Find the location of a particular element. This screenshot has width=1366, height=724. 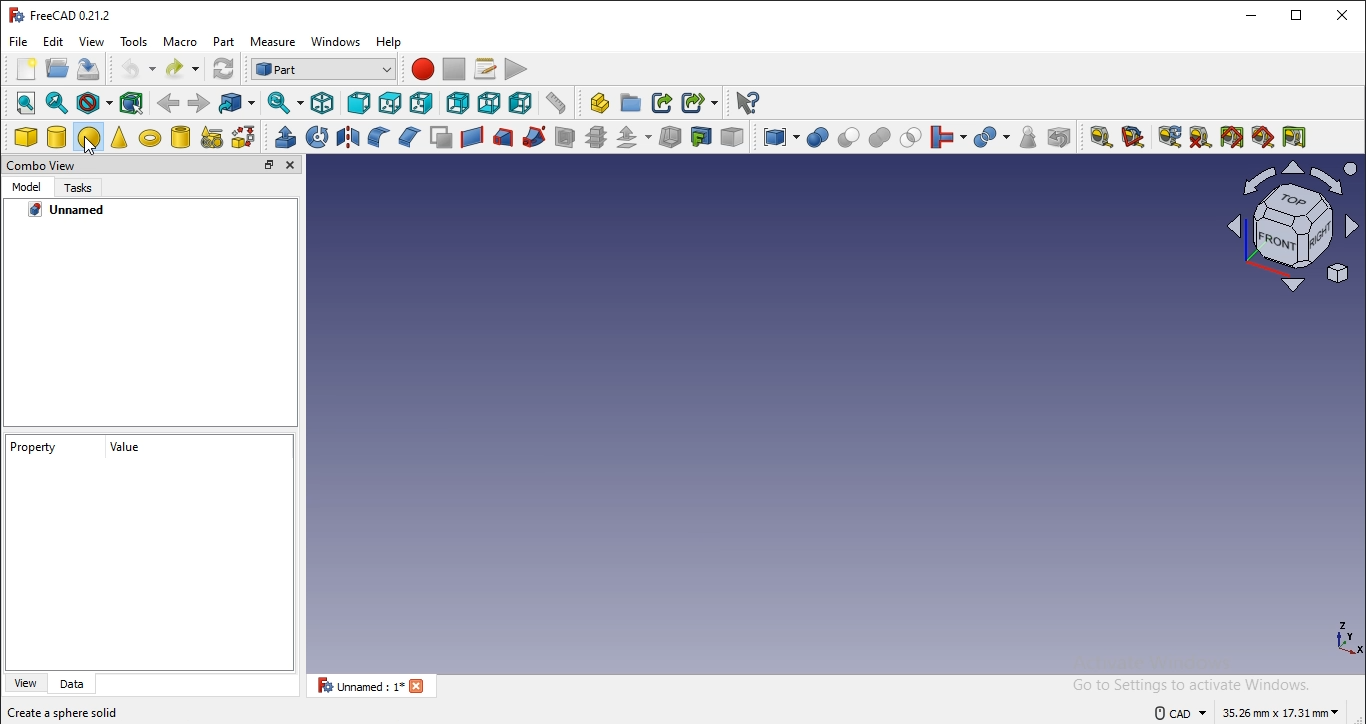

minimize is located at coordinates (1248, 15).